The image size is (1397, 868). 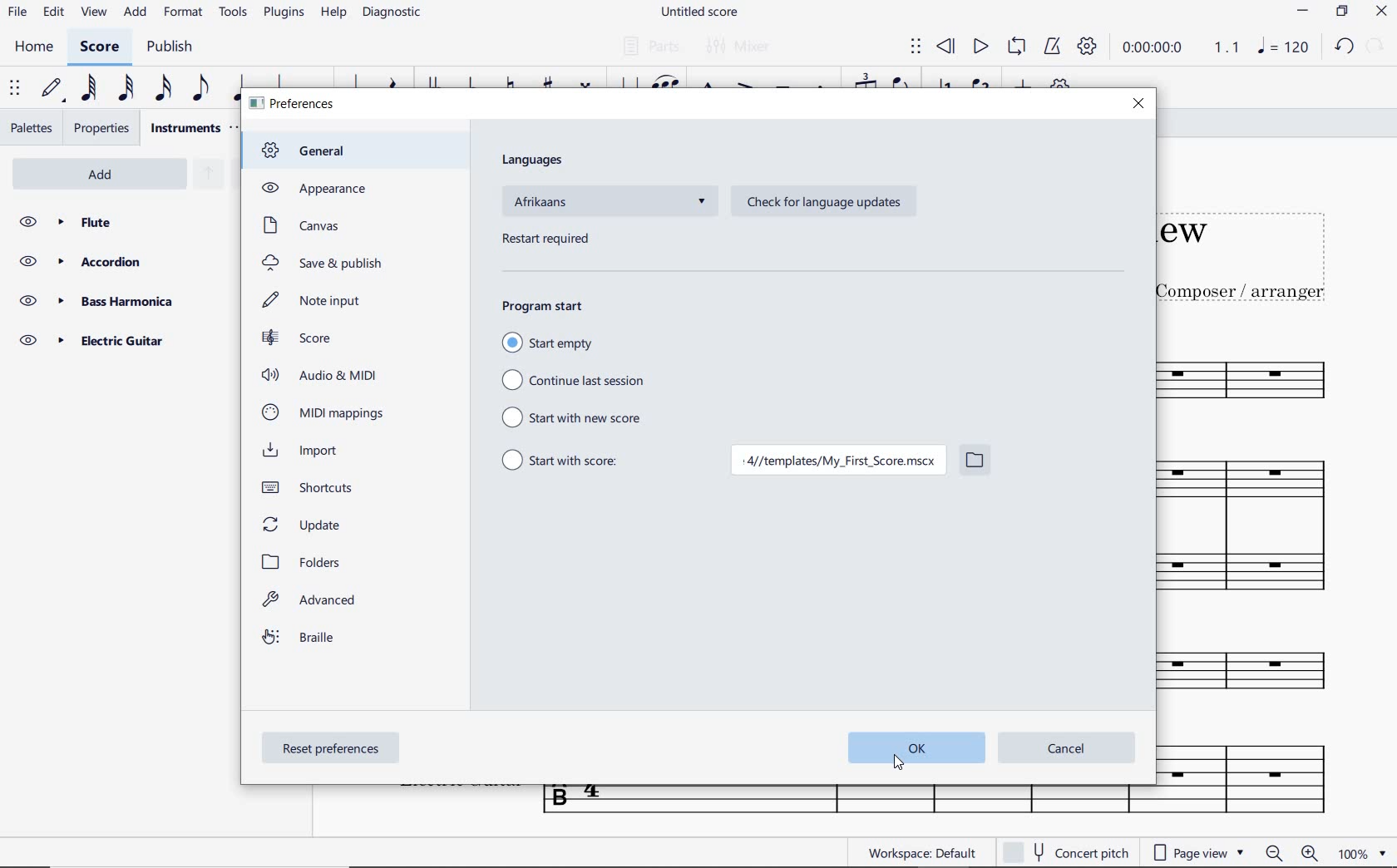 I want to click on canvas, so click(x=299, y=225).